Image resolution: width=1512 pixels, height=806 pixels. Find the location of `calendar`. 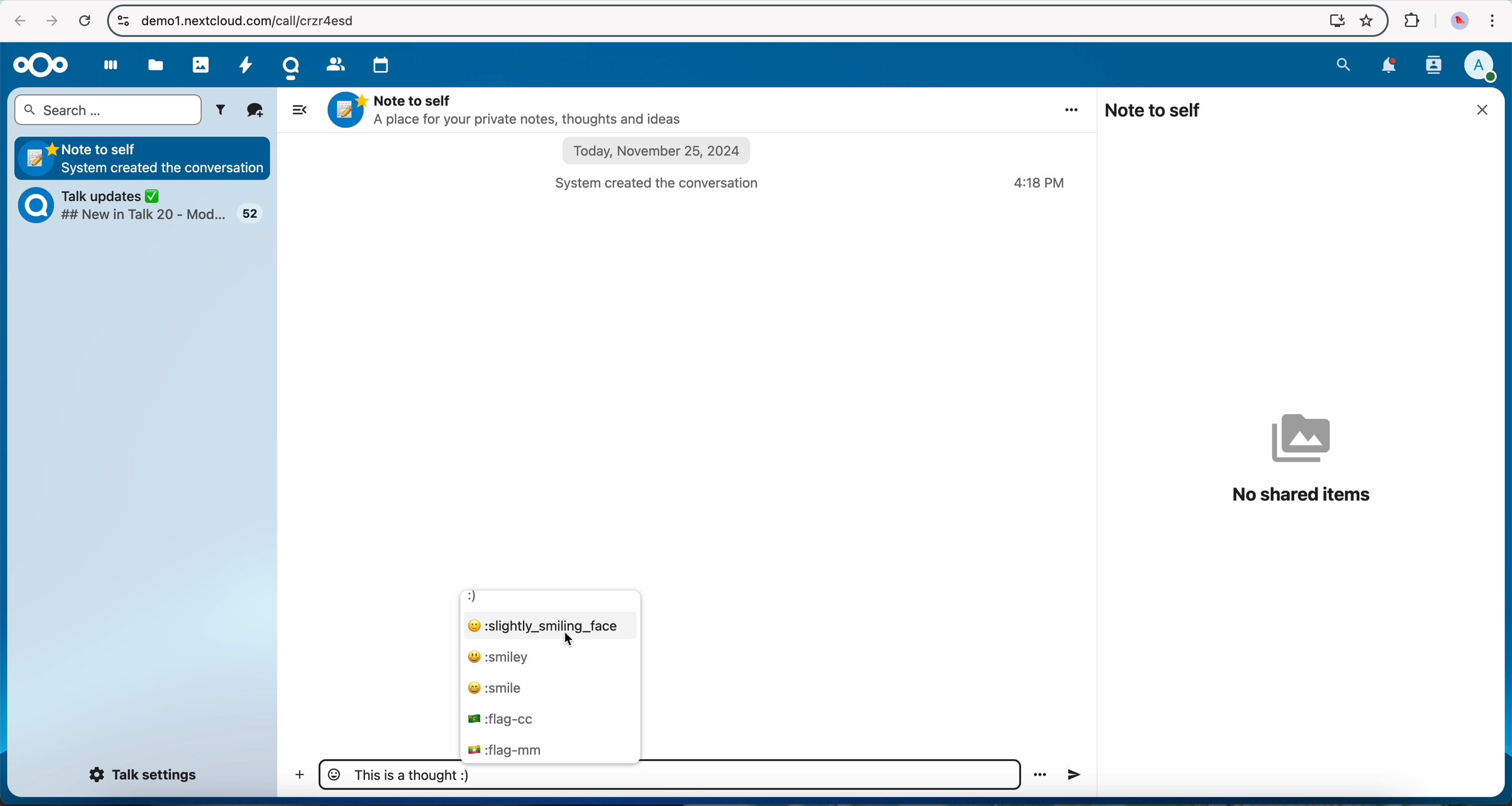

calendar is located at coordinates (383, 65).